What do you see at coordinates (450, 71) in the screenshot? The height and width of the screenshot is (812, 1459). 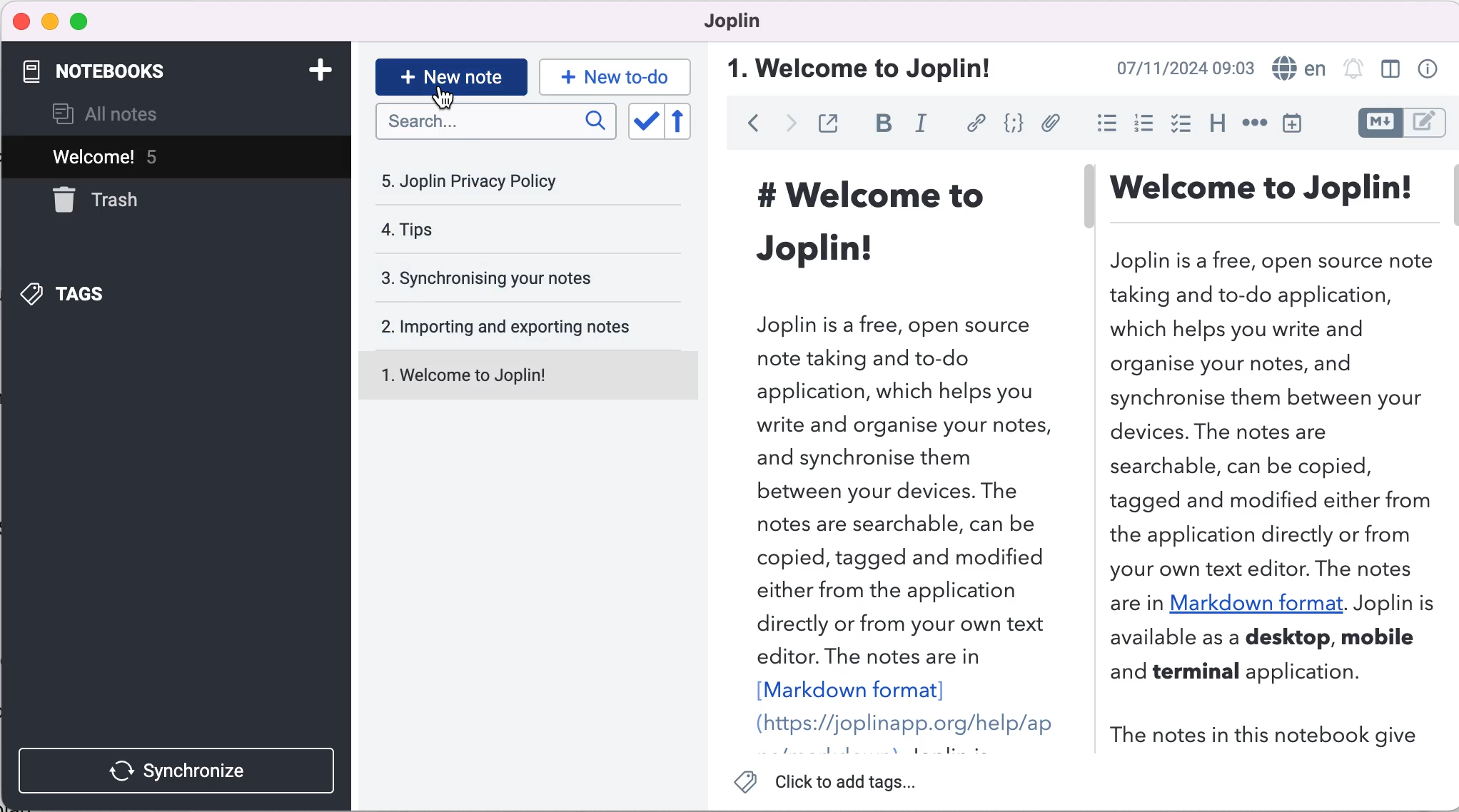 I see `new note` at bounding box center [450, 71].